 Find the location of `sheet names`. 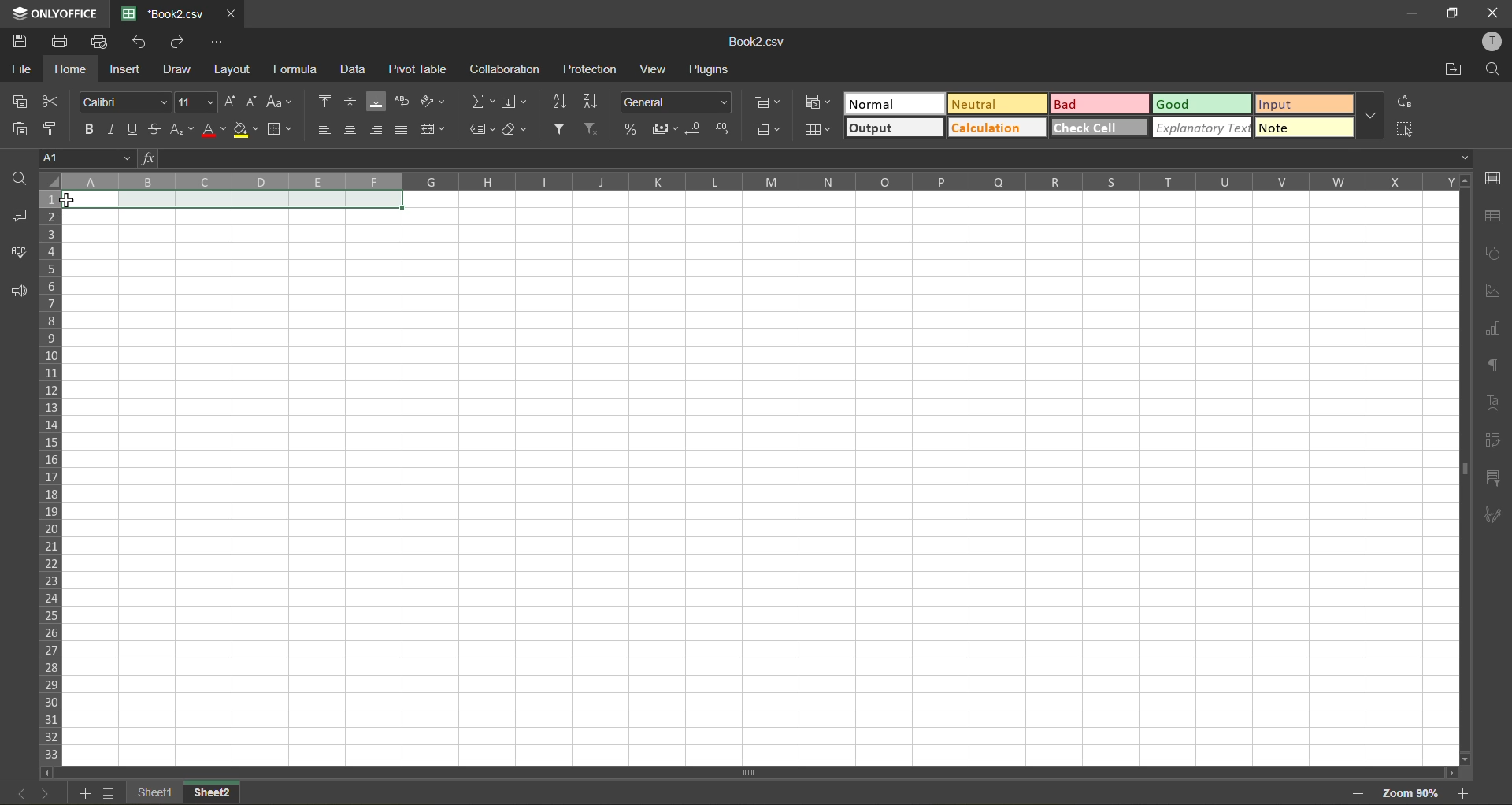

sheet names is located at coordinates (183, 792).